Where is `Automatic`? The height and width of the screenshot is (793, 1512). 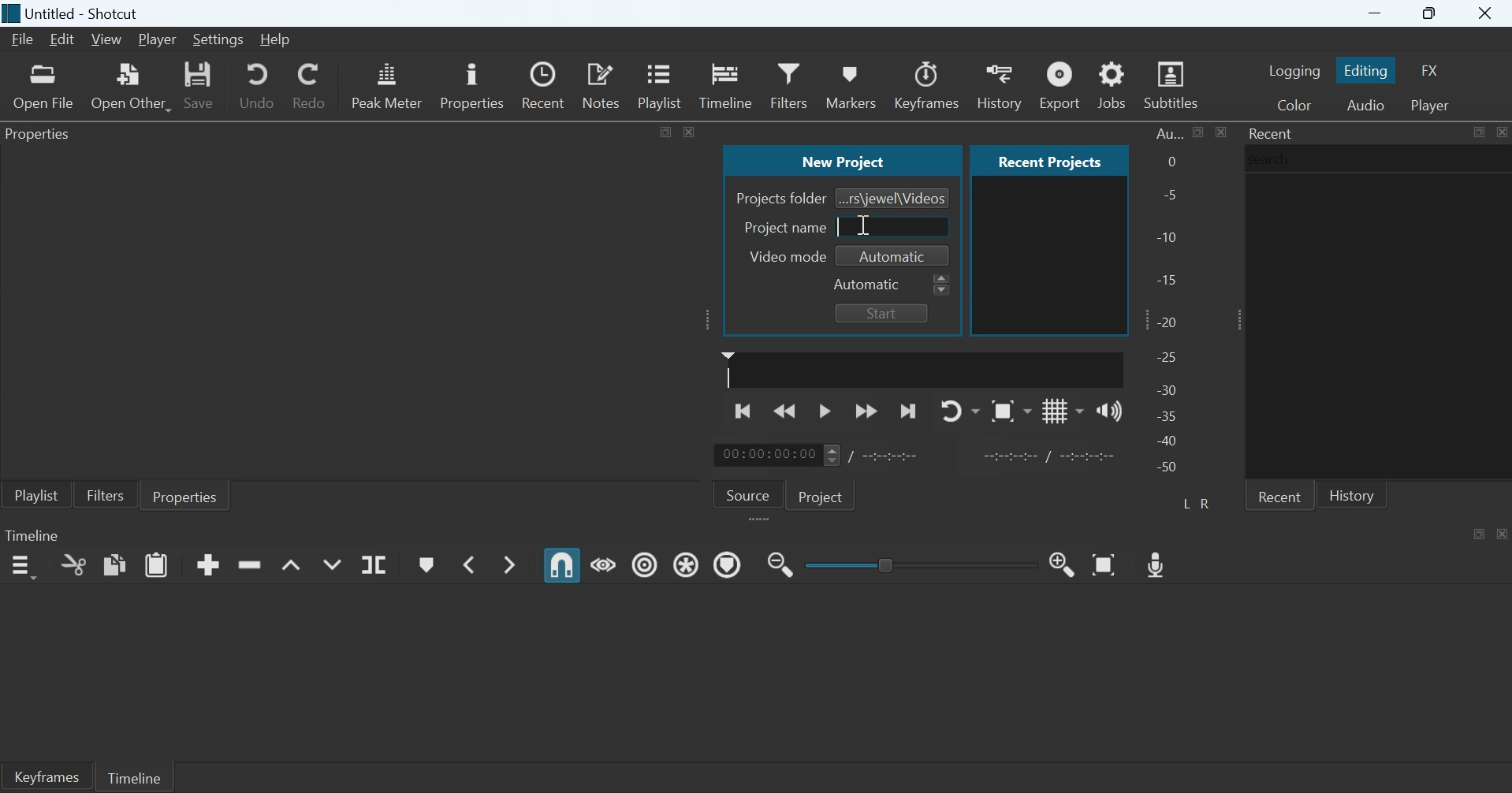
Automatic is located at coordinates (894, 257).